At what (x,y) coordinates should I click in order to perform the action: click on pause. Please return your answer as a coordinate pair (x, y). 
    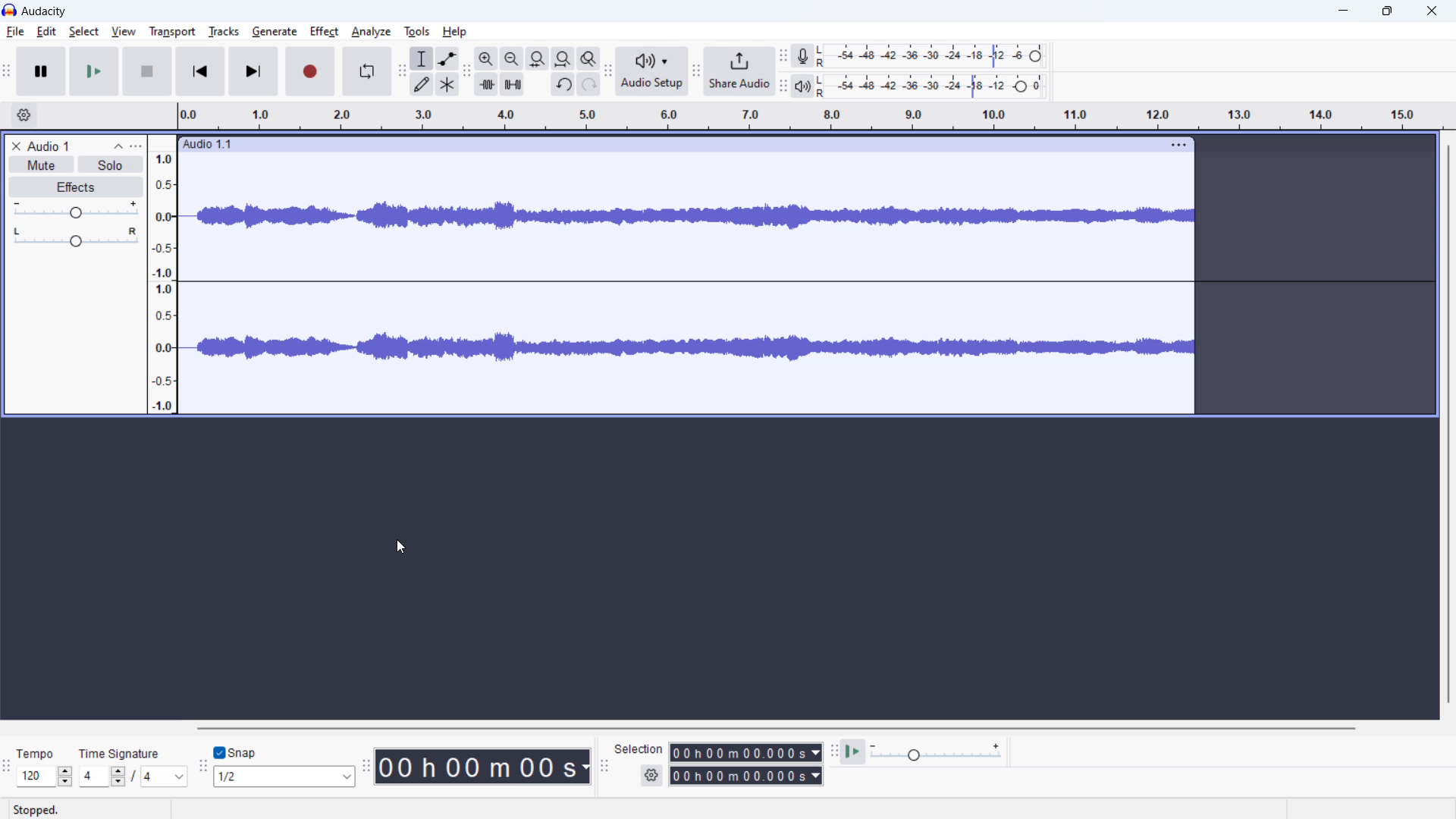
    Looking at the image, I should click on (42, 71).